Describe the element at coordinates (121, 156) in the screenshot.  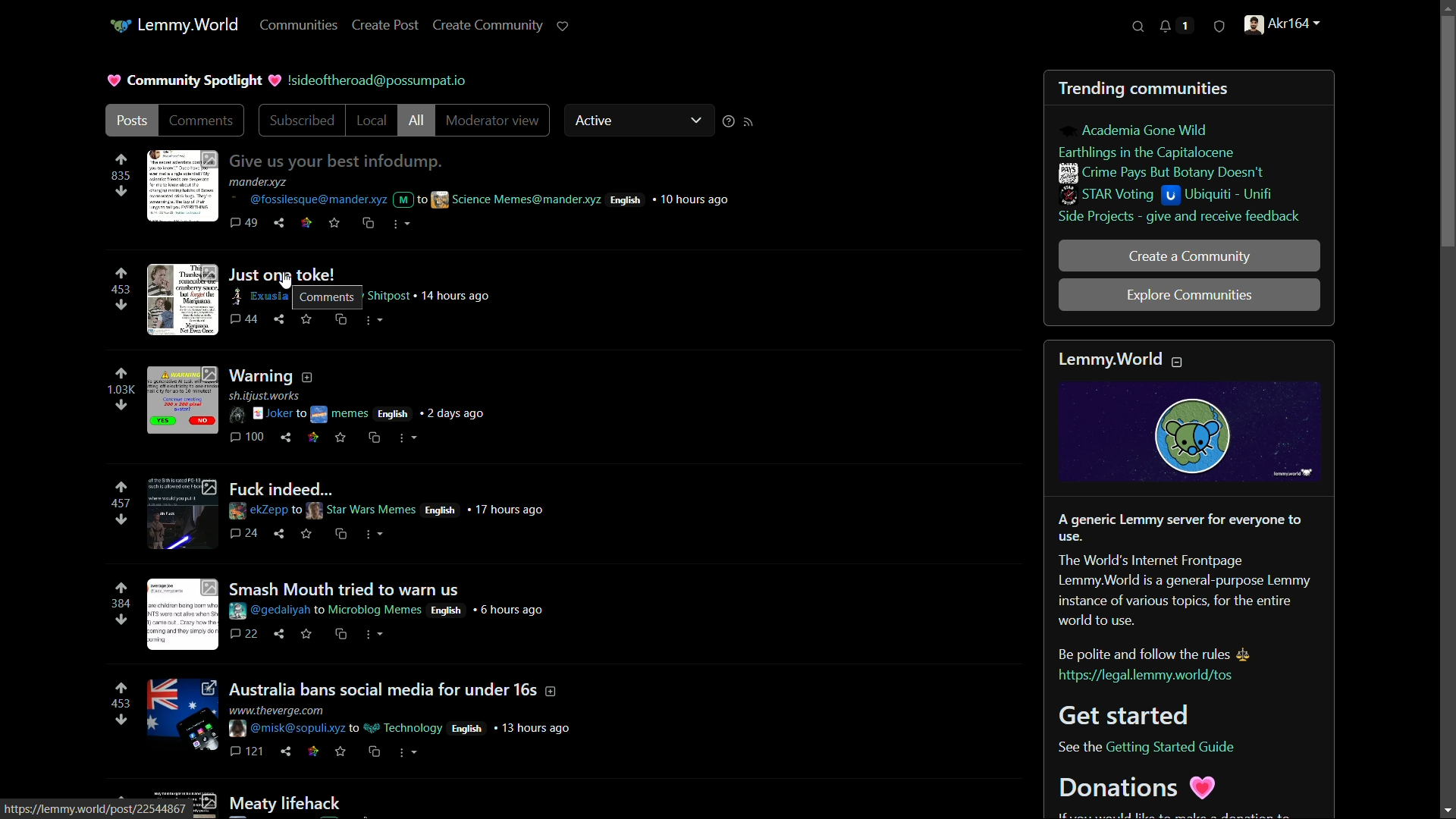
I see `Upvote` at that location.